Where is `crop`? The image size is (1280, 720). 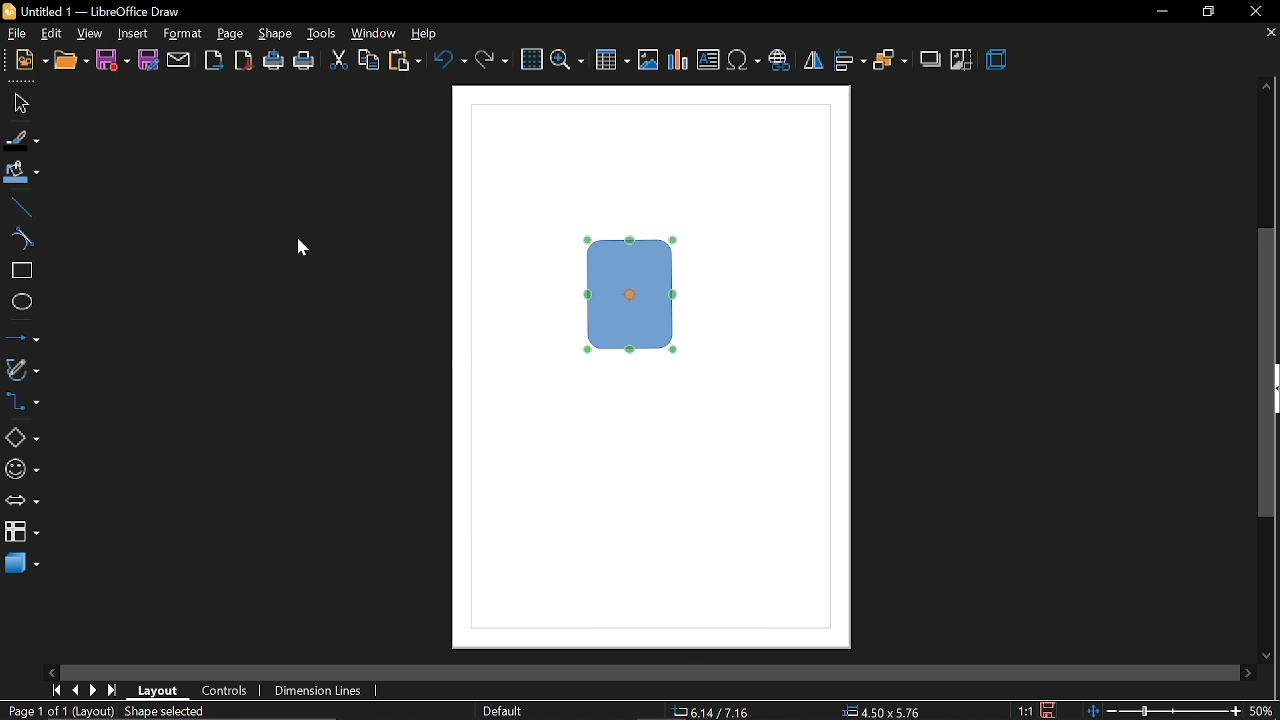 crop is located at coordinates (963, 59).